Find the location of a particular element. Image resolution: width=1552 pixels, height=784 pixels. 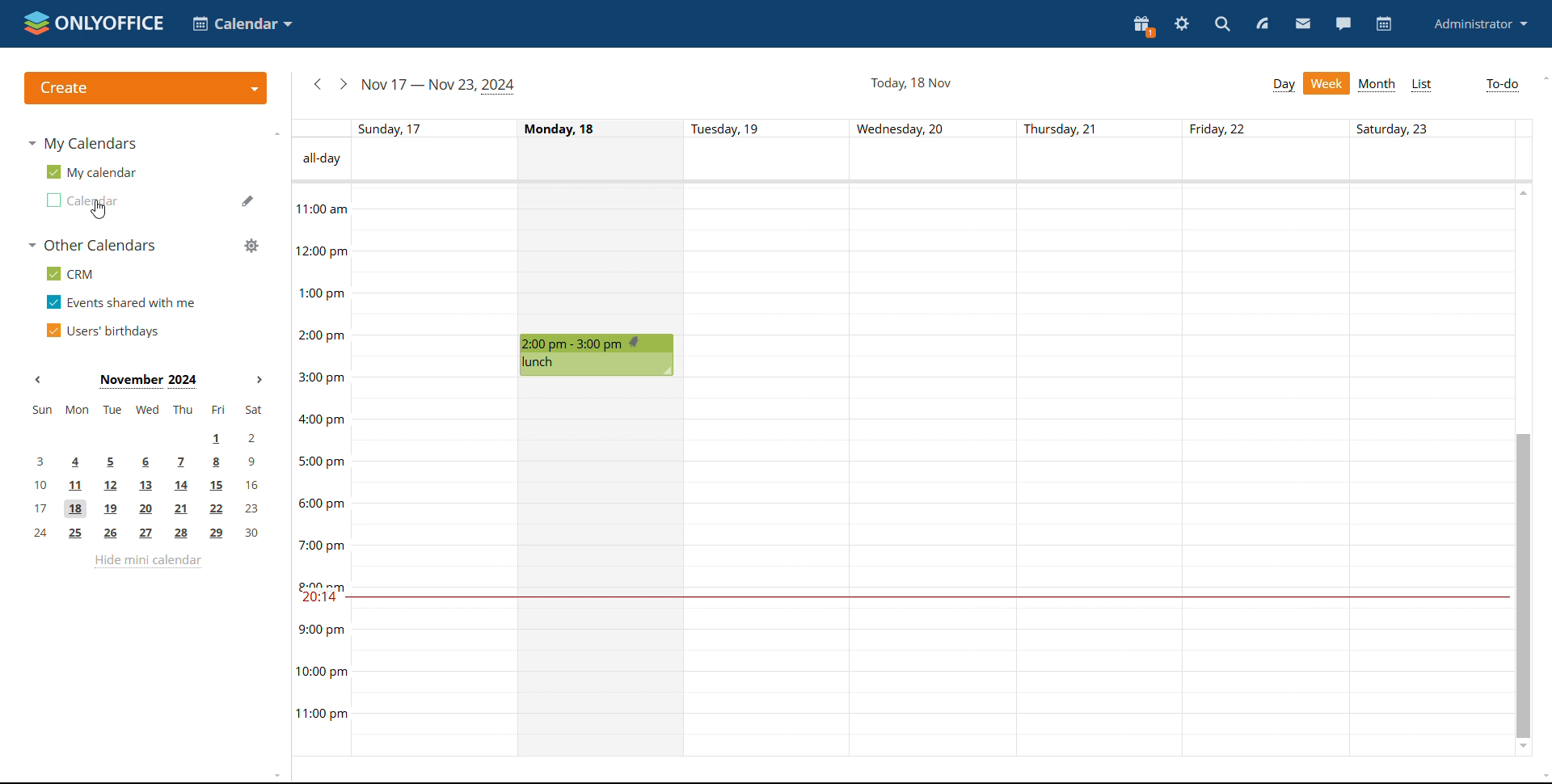

Sunday is located at coordinates (433, 470).